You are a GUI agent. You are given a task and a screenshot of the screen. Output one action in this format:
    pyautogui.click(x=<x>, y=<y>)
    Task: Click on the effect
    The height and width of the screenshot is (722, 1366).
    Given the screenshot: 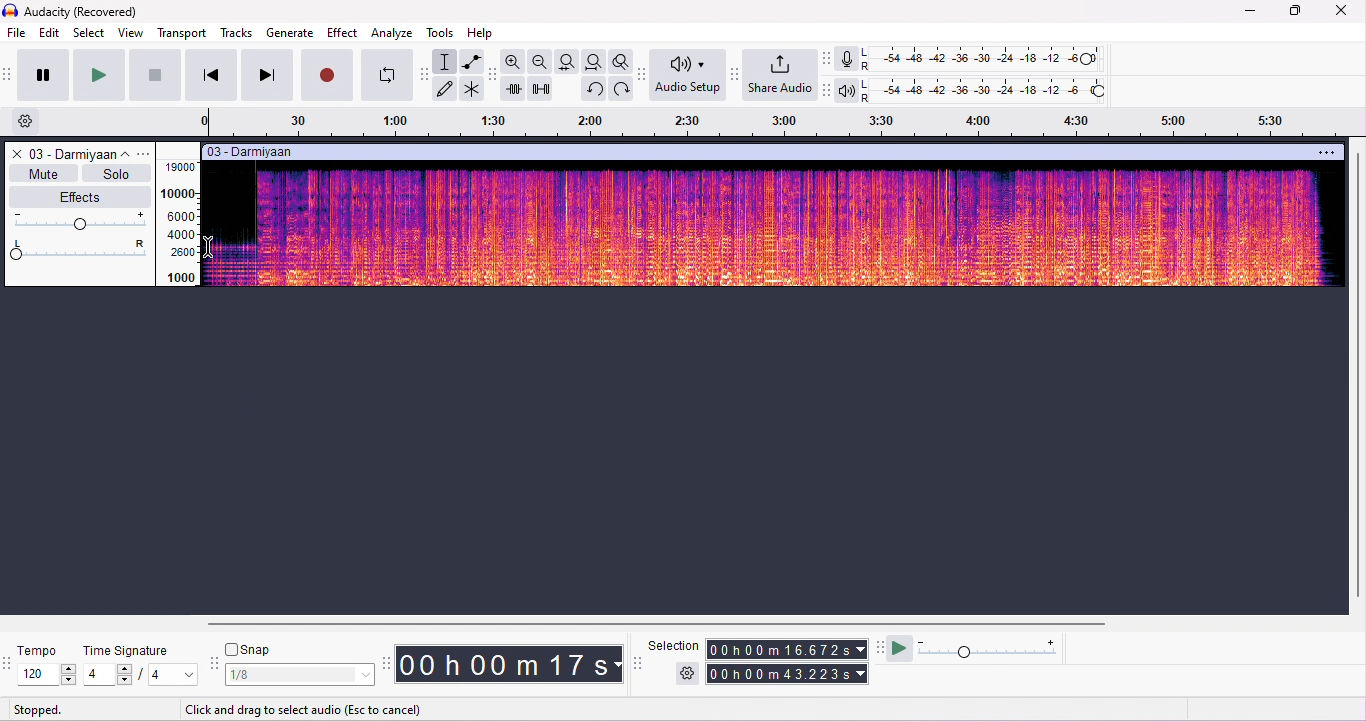 What is the action you would take?
    pyautogui.click(x=343, y=32)
    